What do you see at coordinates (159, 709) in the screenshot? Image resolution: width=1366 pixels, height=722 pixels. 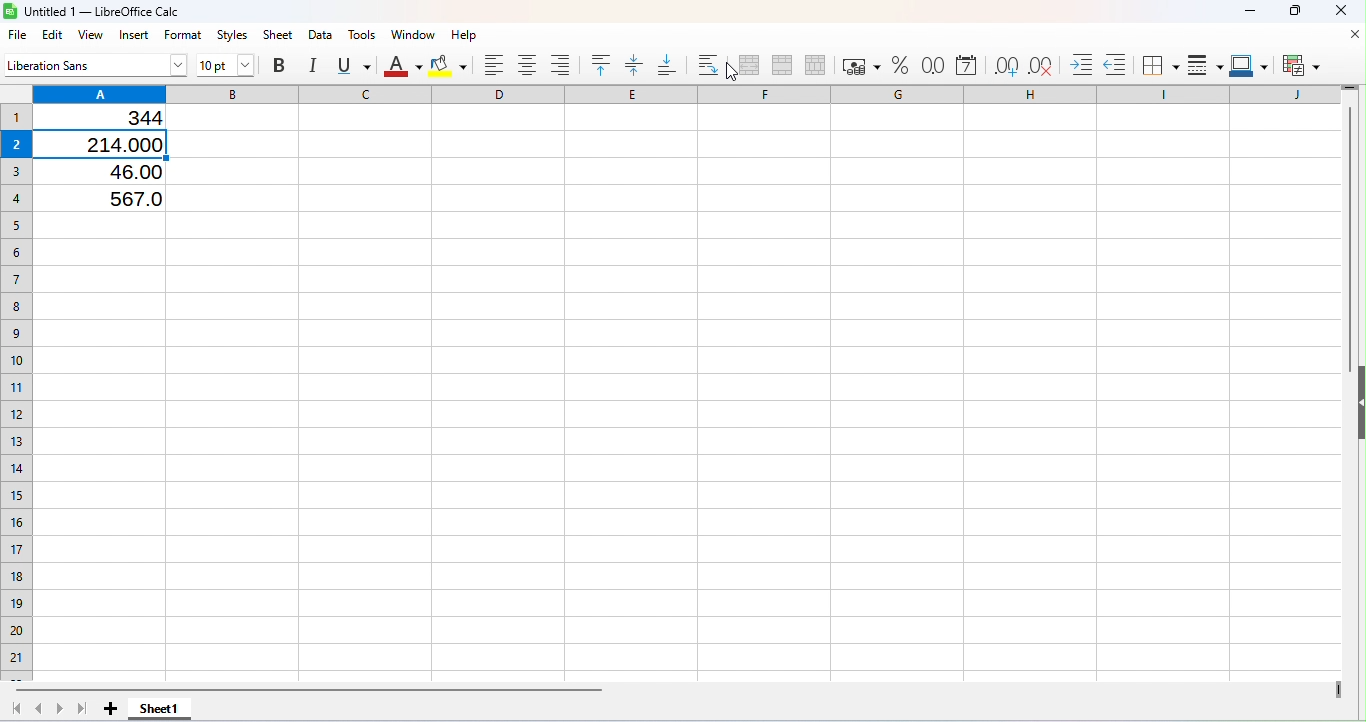 I see `Sheet1` at bounding box center [159, 709].